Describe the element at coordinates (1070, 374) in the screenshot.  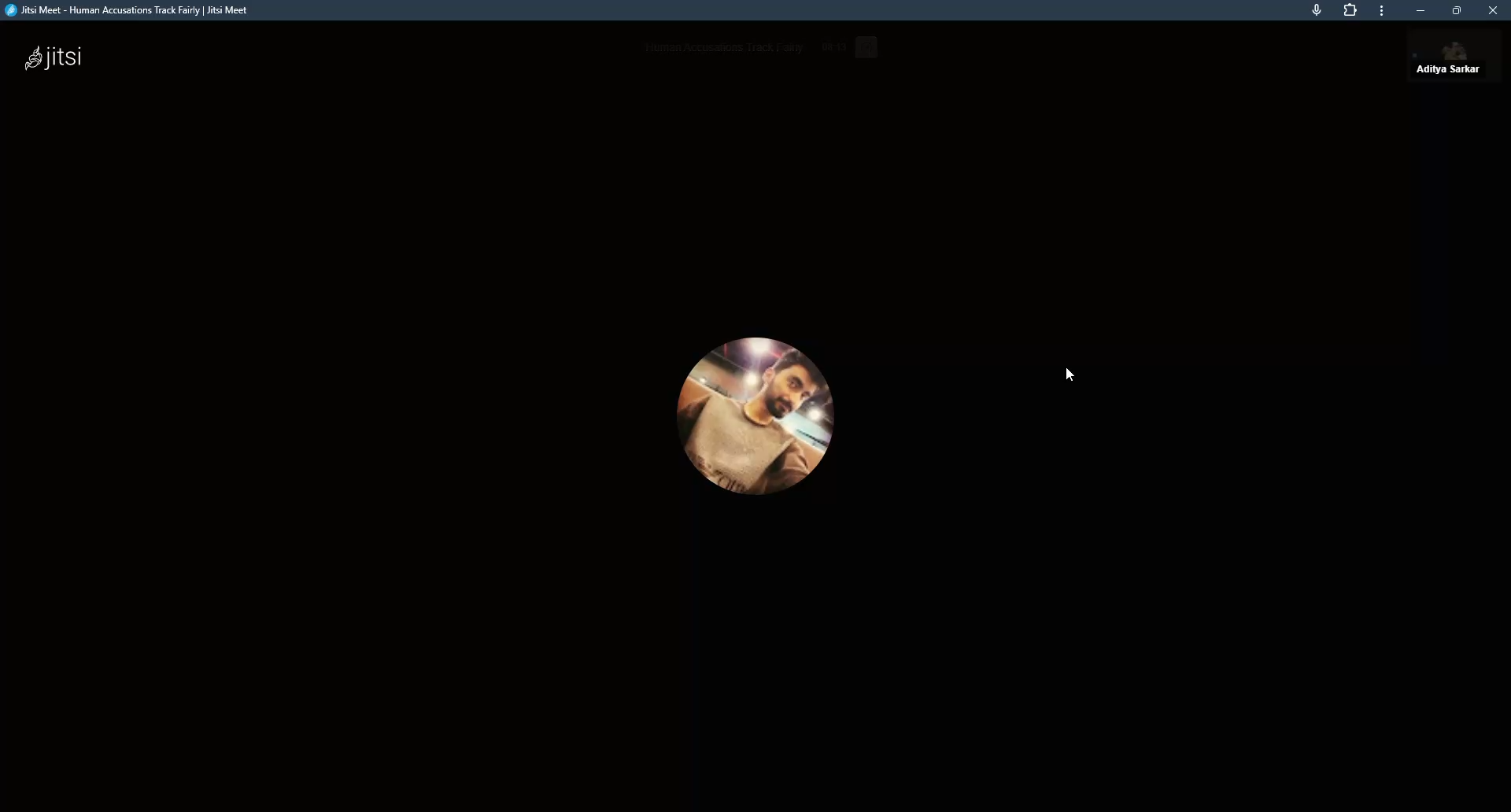
I see `cursor` at that location.